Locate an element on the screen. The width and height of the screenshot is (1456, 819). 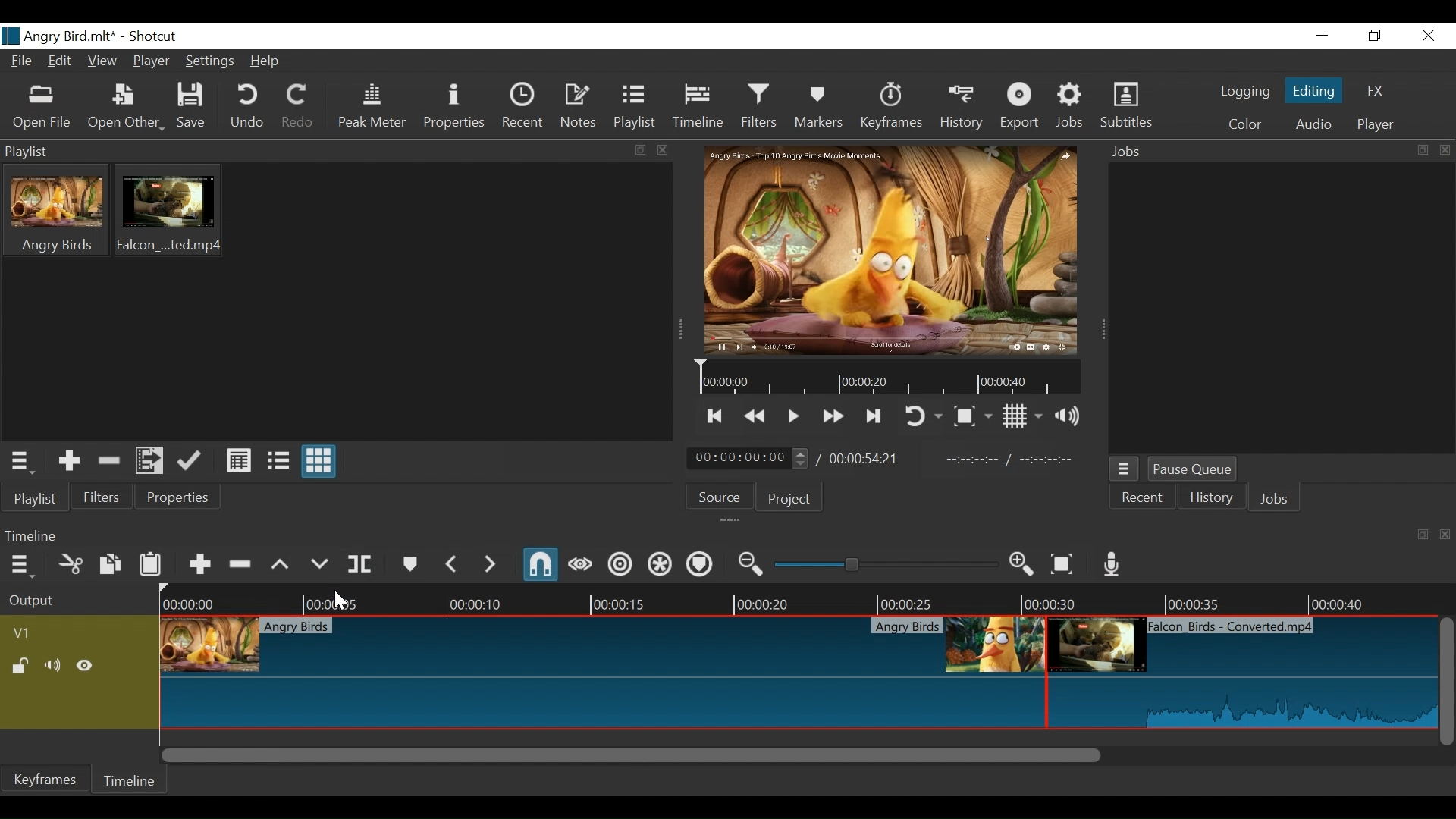
 is located at coordinates (412, 564).